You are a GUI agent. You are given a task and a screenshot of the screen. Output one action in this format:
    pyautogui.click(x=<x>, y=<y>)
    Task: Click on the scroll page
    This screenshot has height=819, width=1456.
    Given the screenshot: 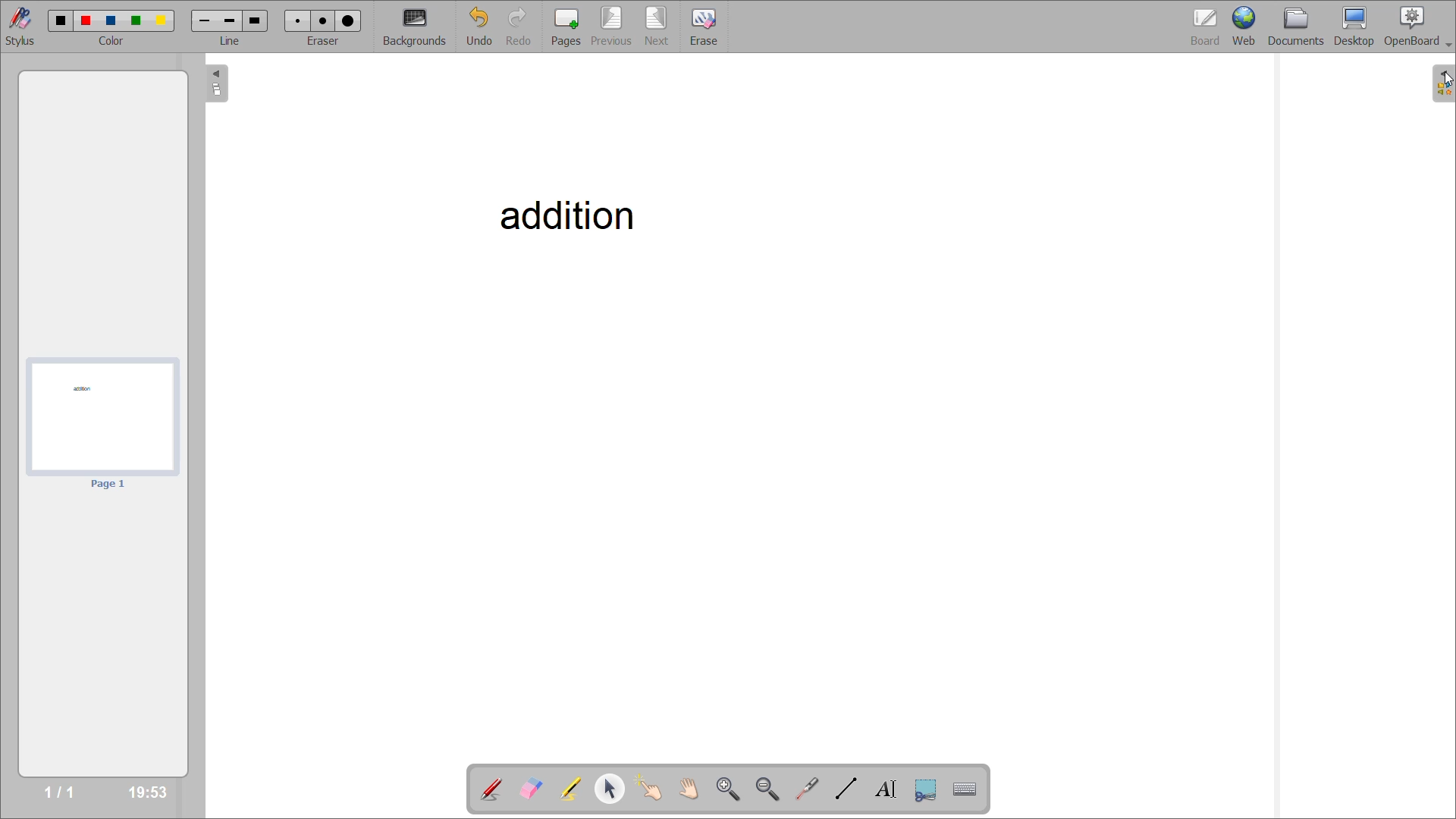 What is the action you would take?
    pyautogui.click(x=694, y=787)
    